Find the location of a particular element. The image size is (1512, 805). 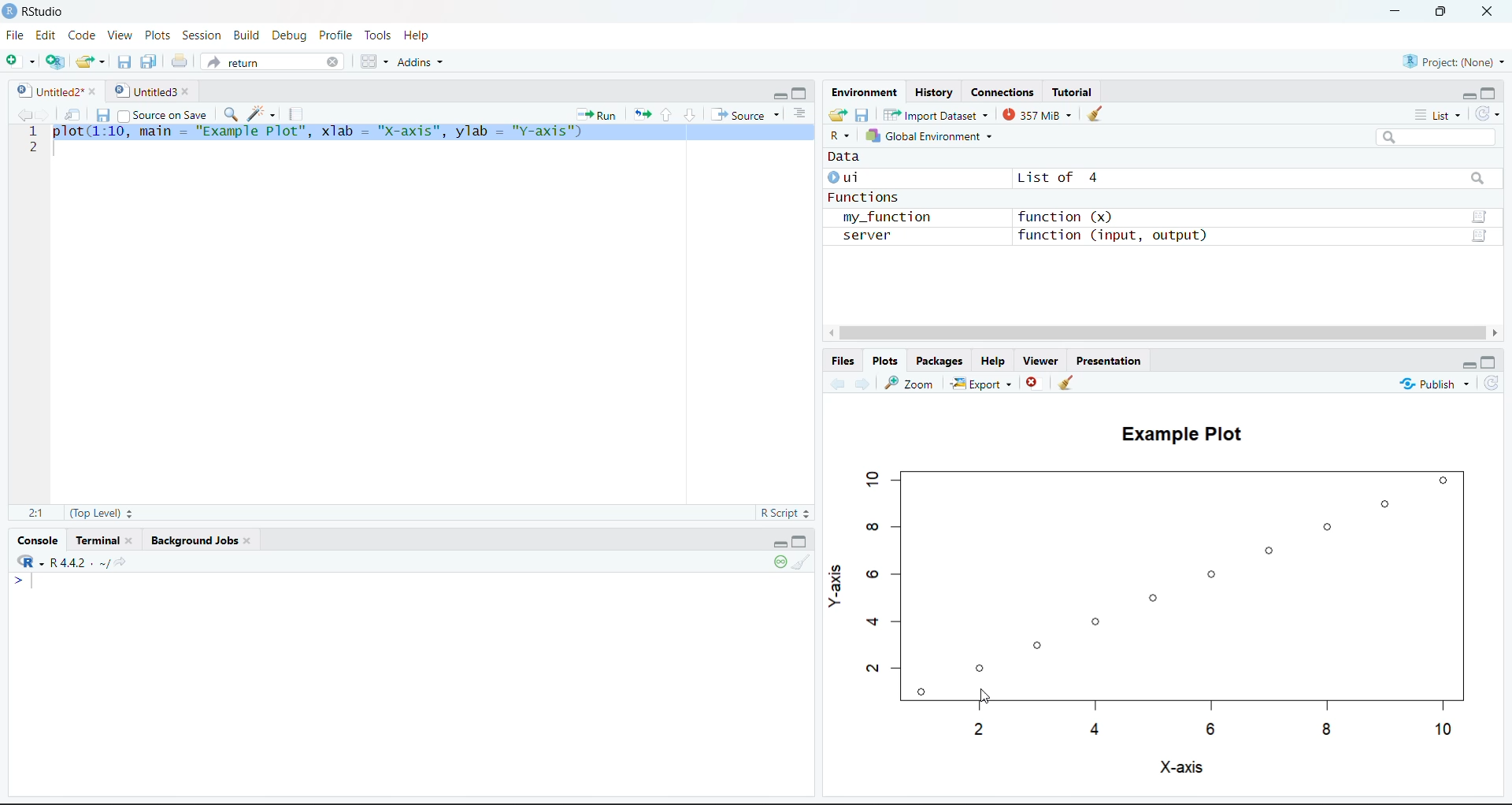

Y-axis is located at coordinates (836, 584).